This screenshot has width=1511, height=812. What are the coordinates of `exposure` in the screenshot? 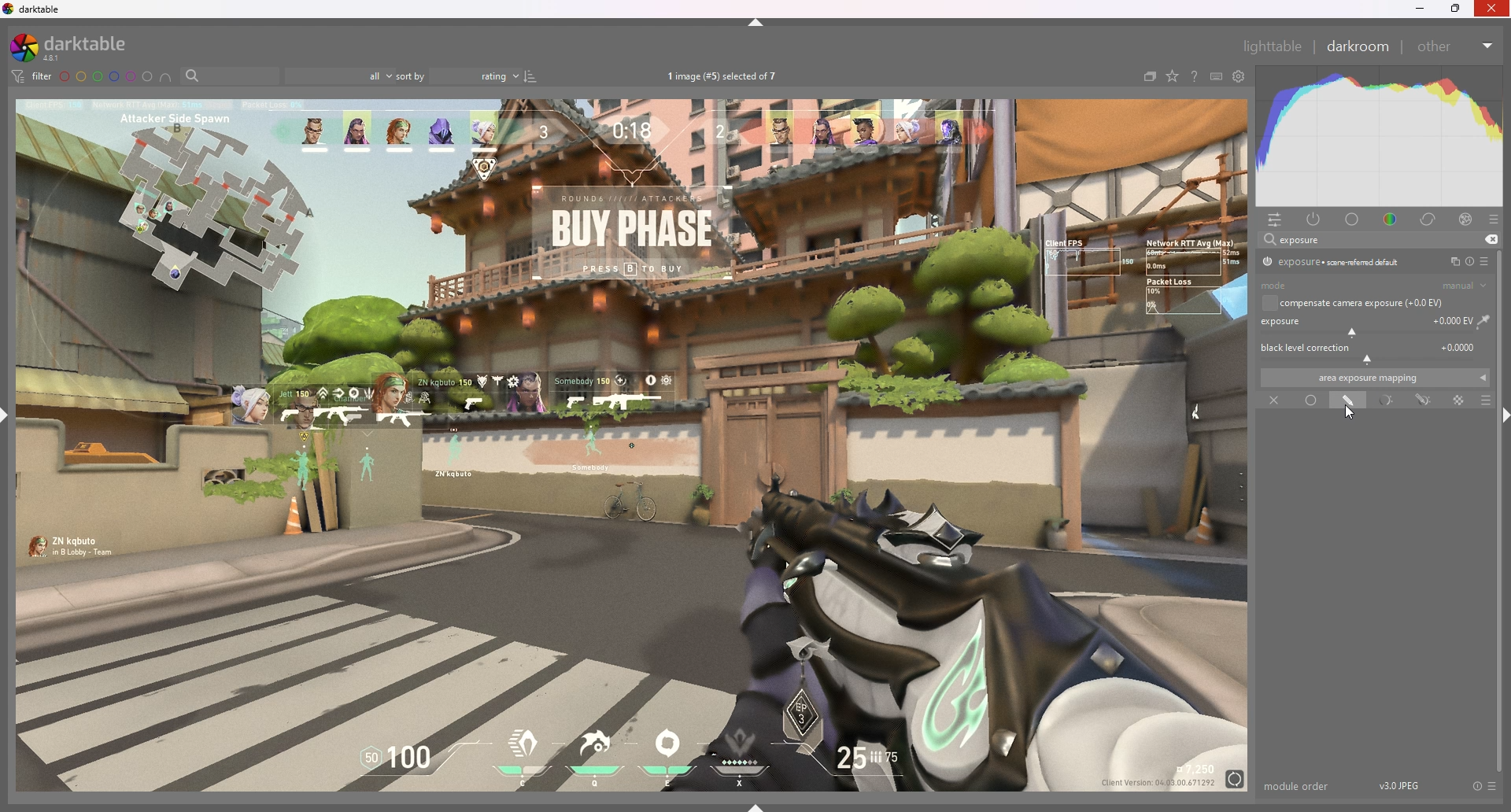 It's located at (1376, 326).